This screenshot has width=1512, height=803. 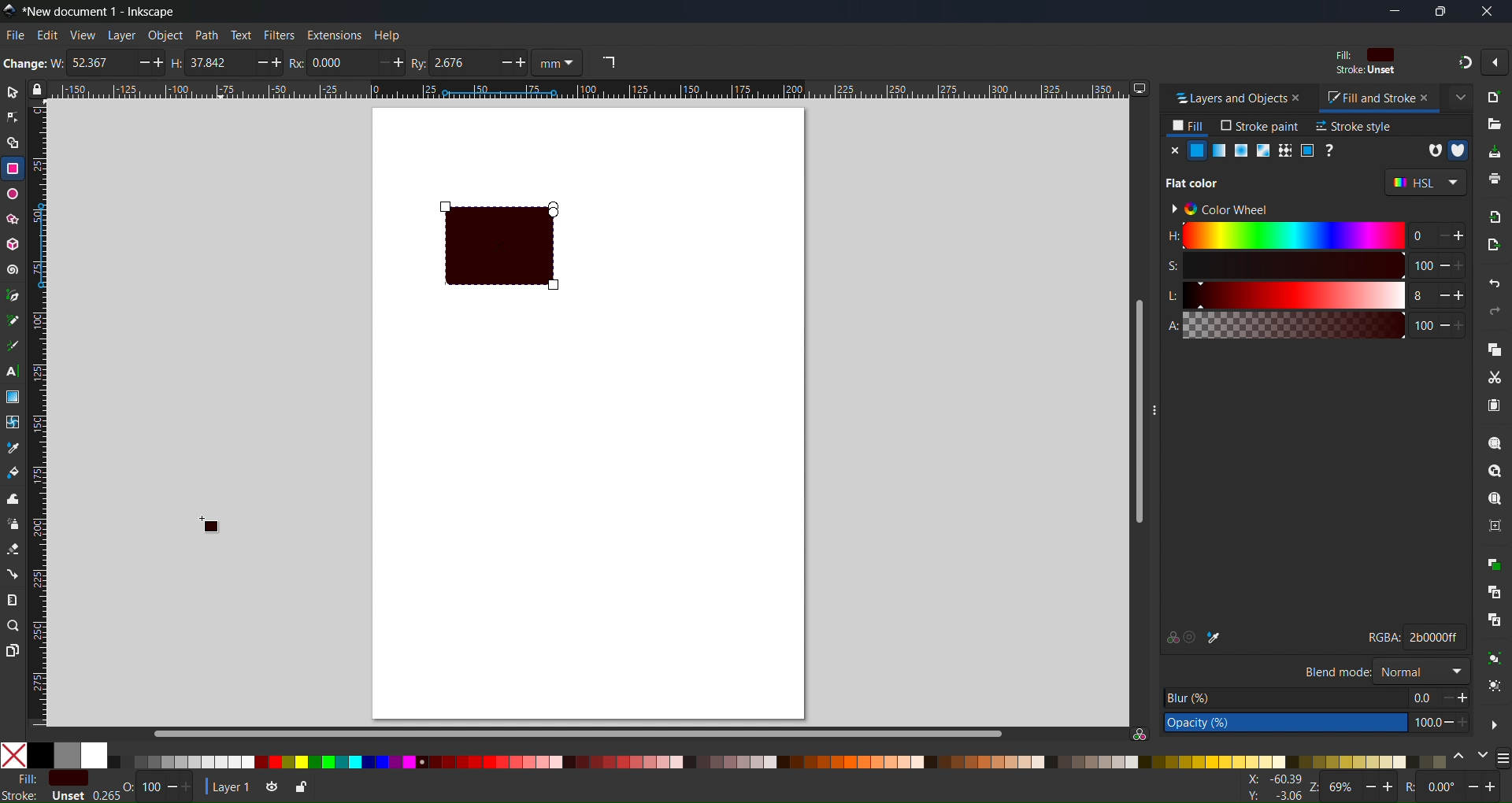 What do you see at coordinates (47, 35) in the screenshot?
I see `Edit` at bounding box center [47, 35].